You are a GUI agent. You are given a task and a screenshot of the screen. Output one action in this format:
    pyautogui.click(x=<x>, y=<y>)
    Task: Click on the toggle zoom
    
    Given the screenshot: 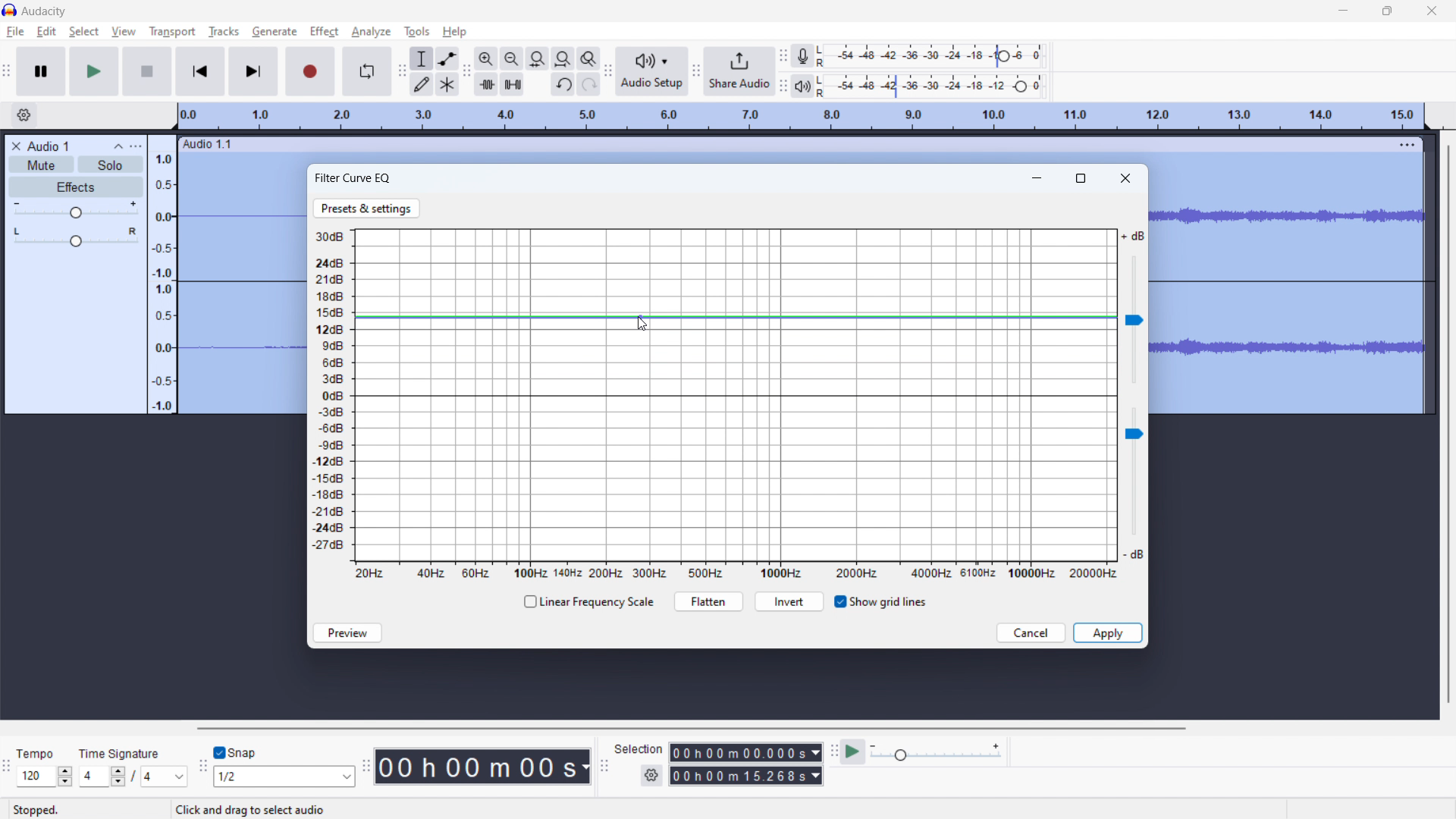 What is the action you would take?
    pyautogui.click(x=589, y=59)
    